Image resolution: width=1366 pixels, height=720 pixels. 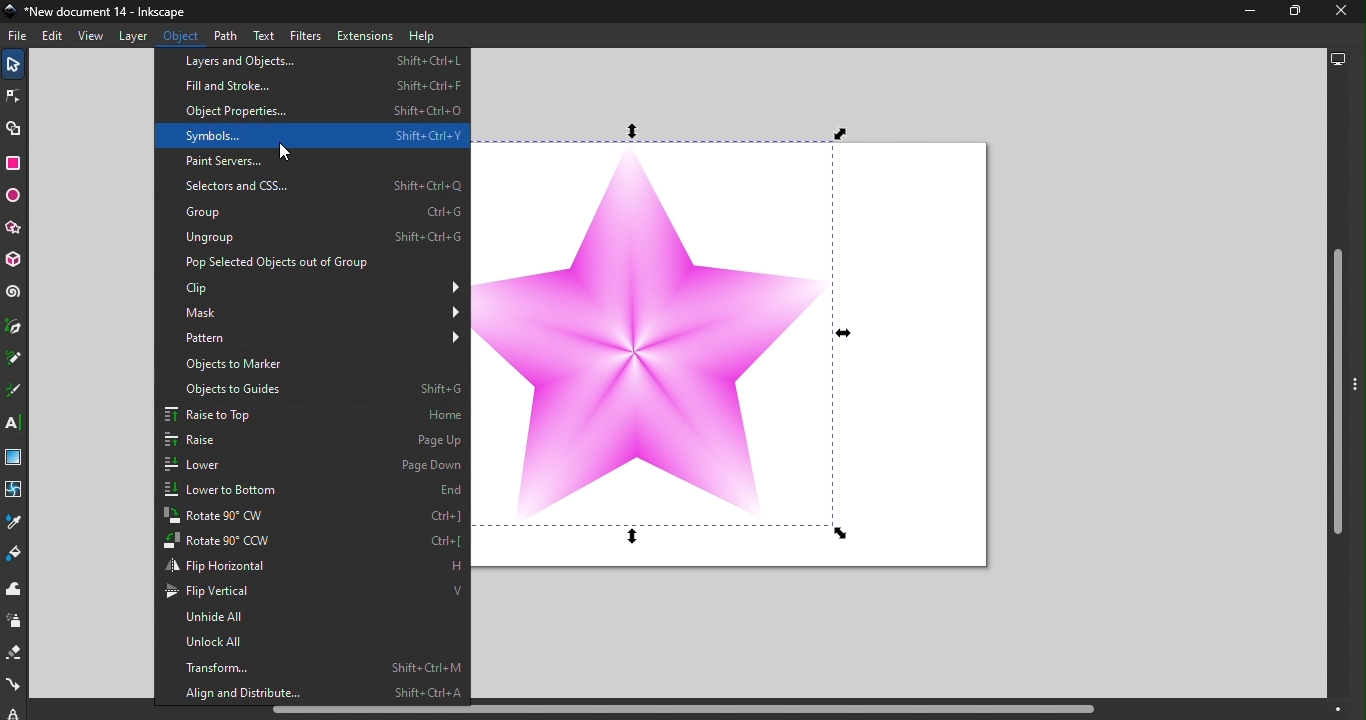 I want to click on Spray tool, so click(x=15, y=620).